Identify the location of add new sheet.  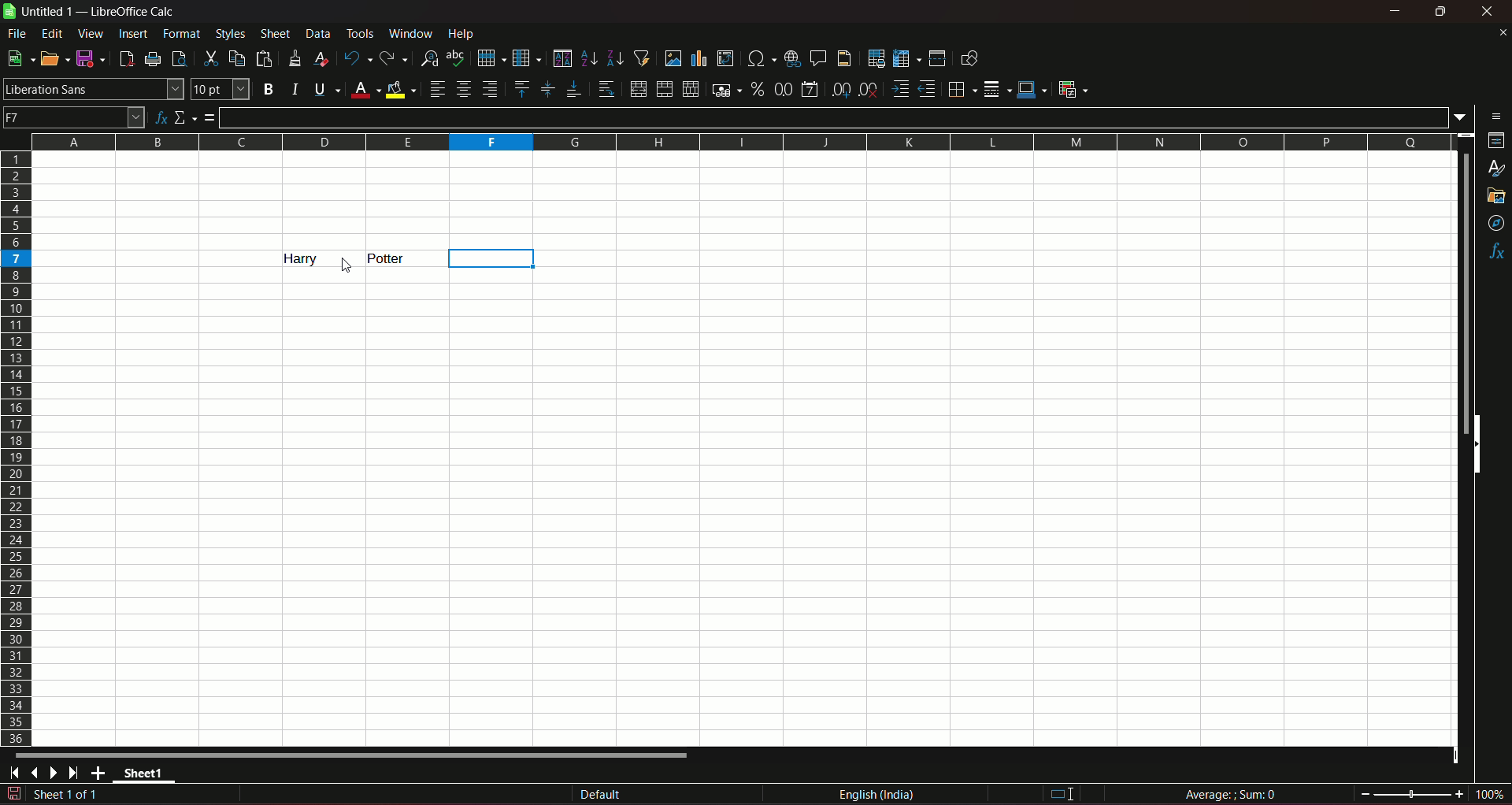
(100, 773).